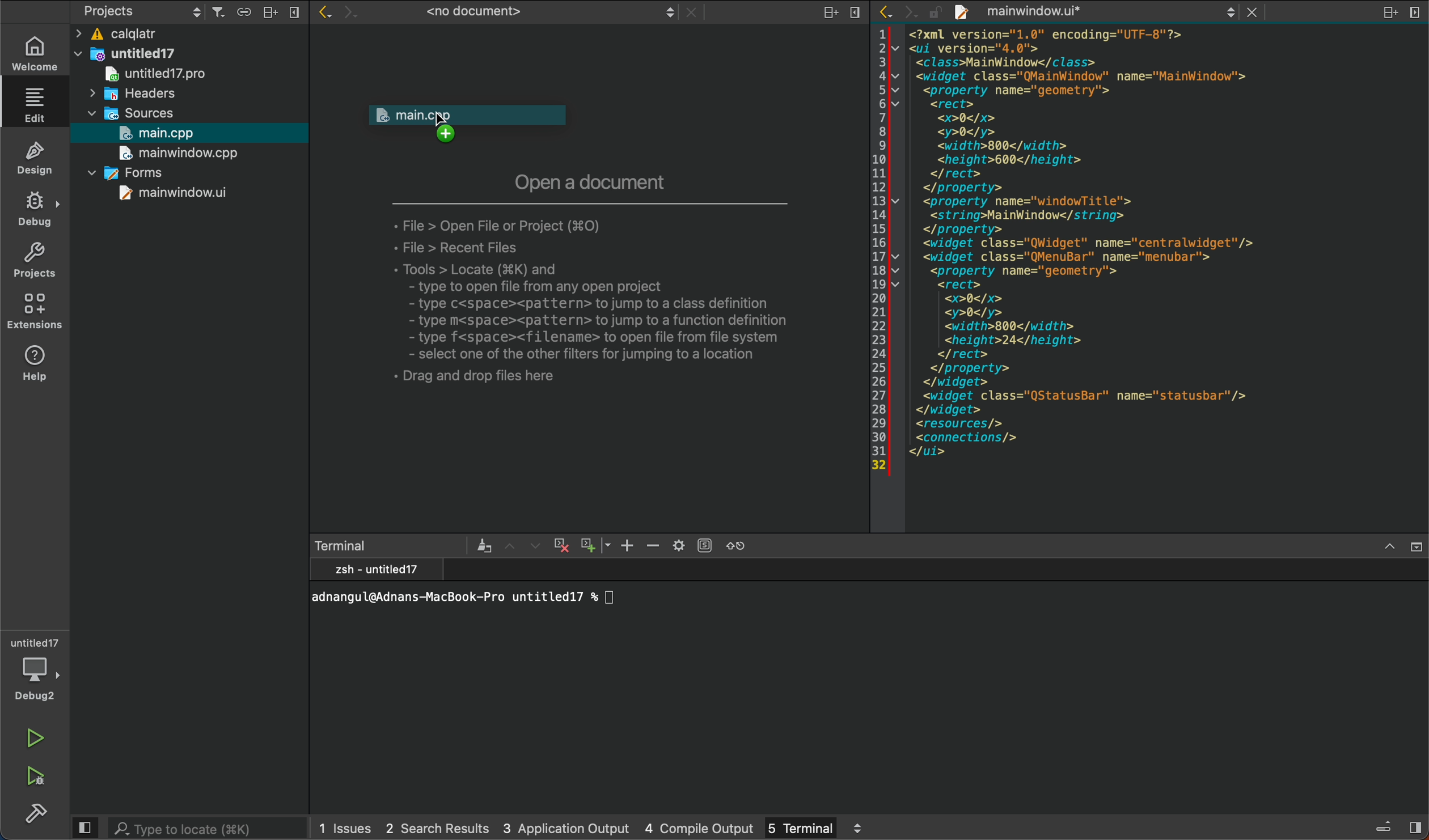 Image resolution: width=1429 pixels, height=840 pixels. What do you see at coordinates (36, 259) in the screenshot?
I see `projects` at bounding box center [36, 259].